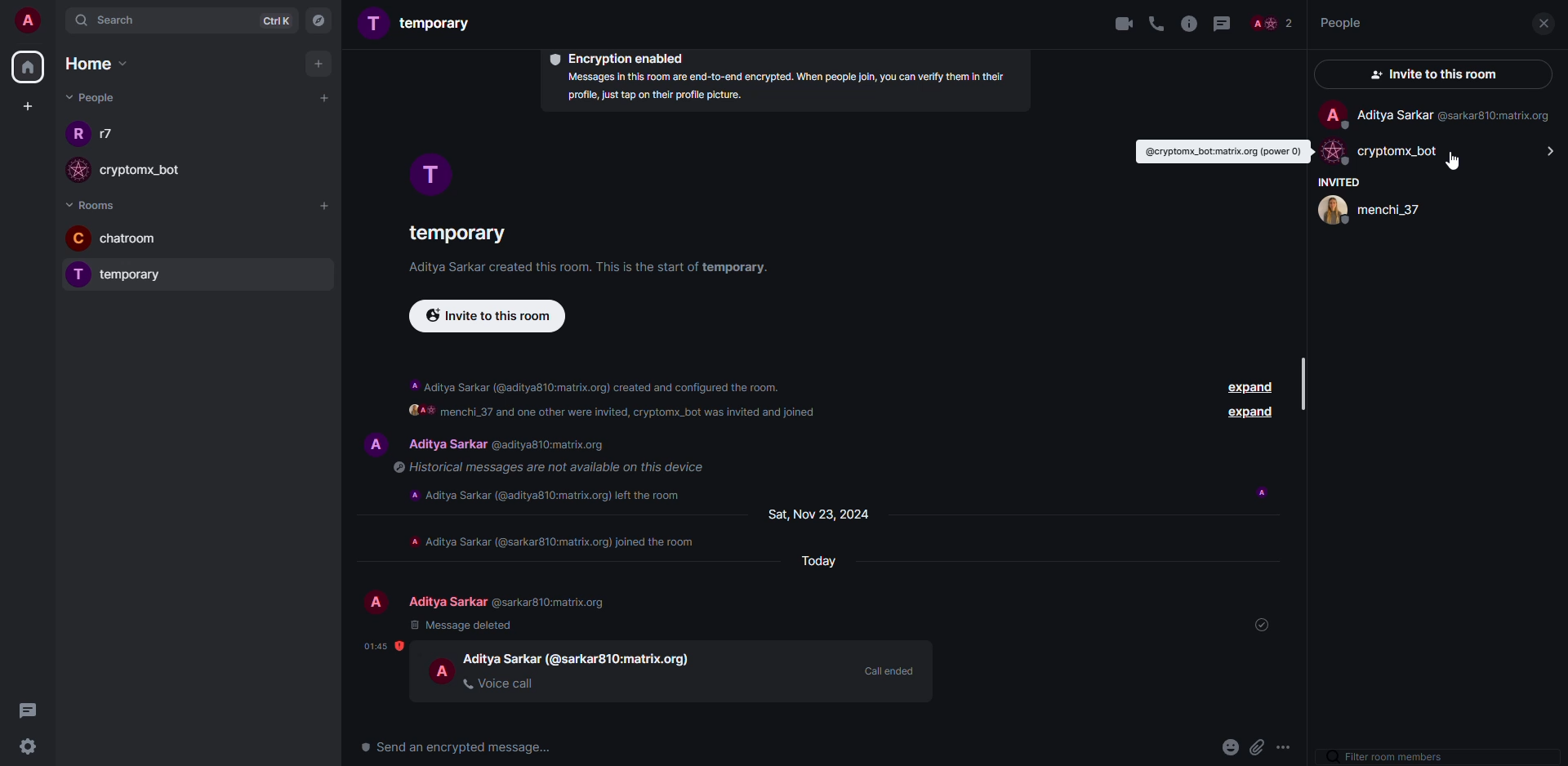  What do you see at coordinates (1543, 23) in the screenshot?
I see `close` at bounding box center [1543, 23].